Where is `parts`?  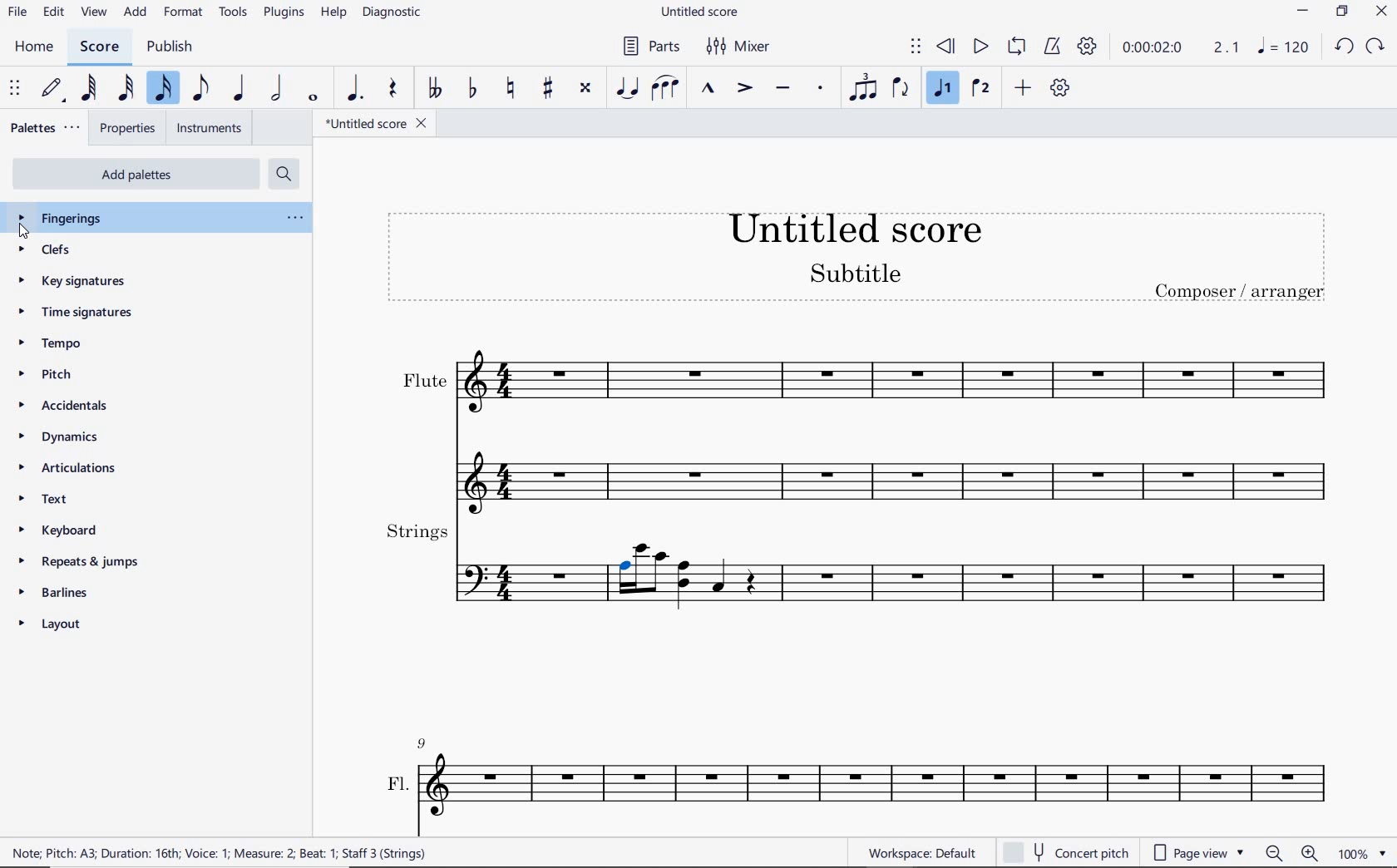
parts is located at coordinates (648, 46).